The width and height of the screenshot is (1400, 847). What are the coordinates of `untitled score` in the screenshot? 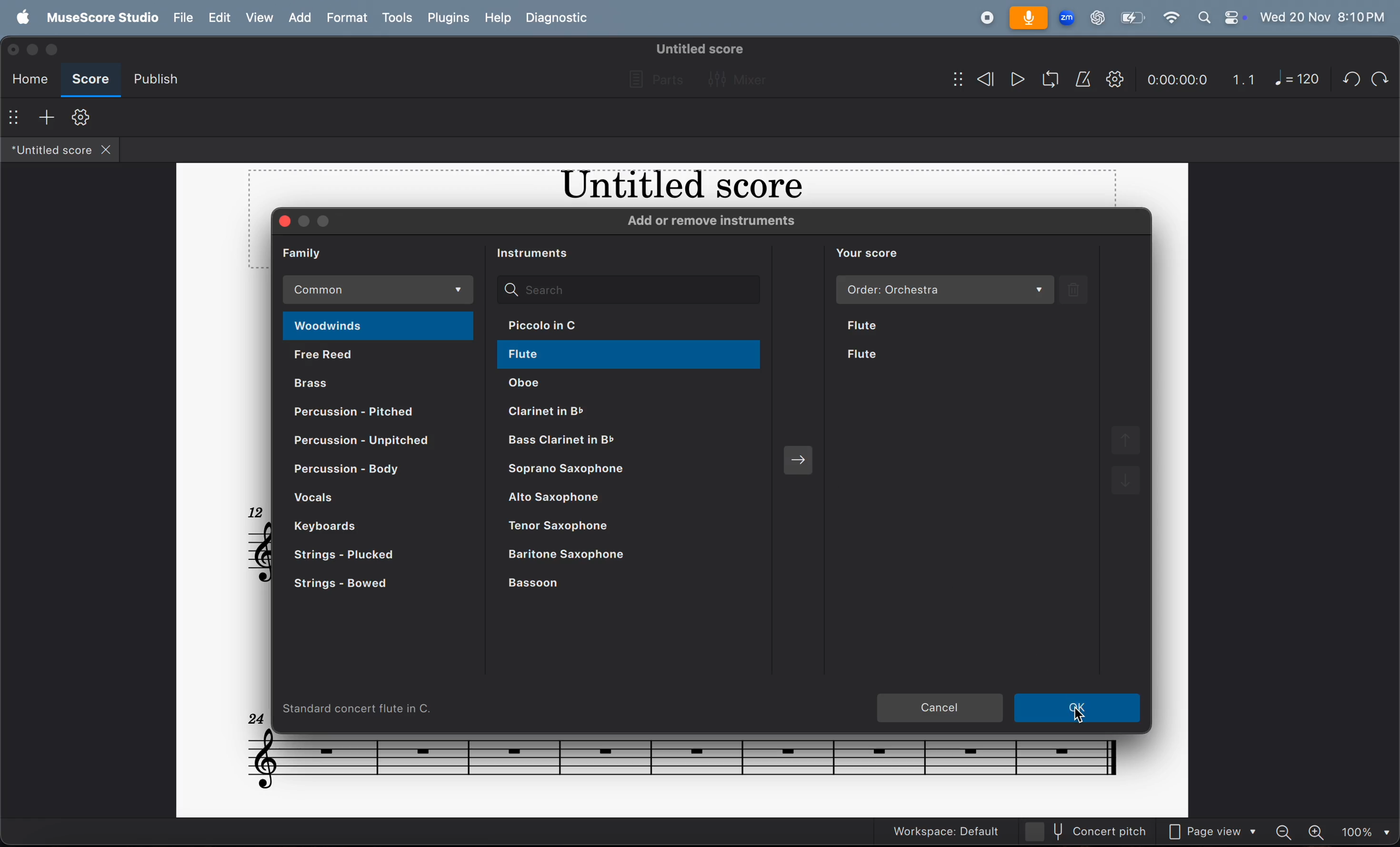 It's located at (698, 47).